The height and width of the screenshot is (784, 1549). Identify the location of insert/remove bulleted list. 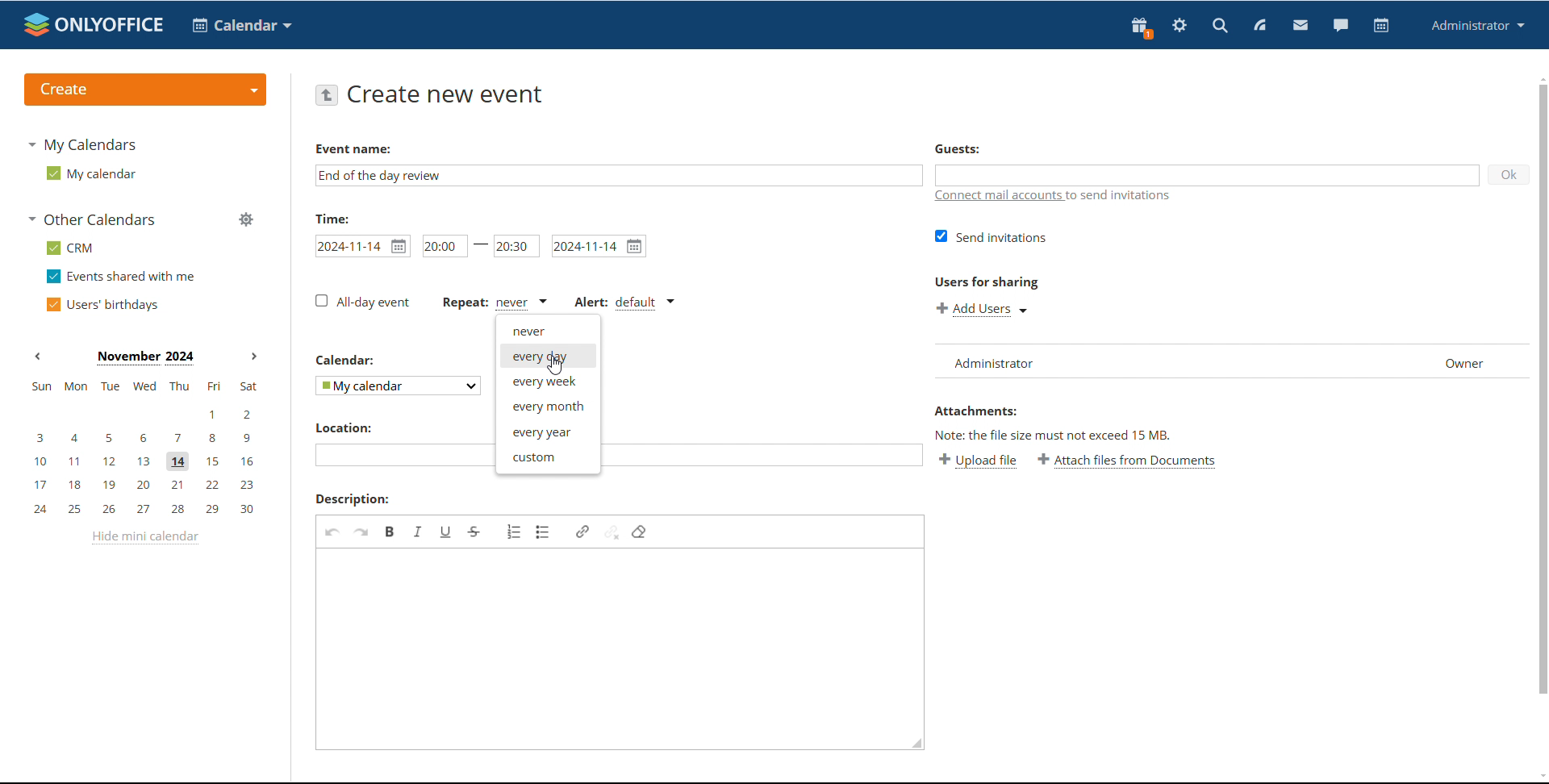
(544, 532).